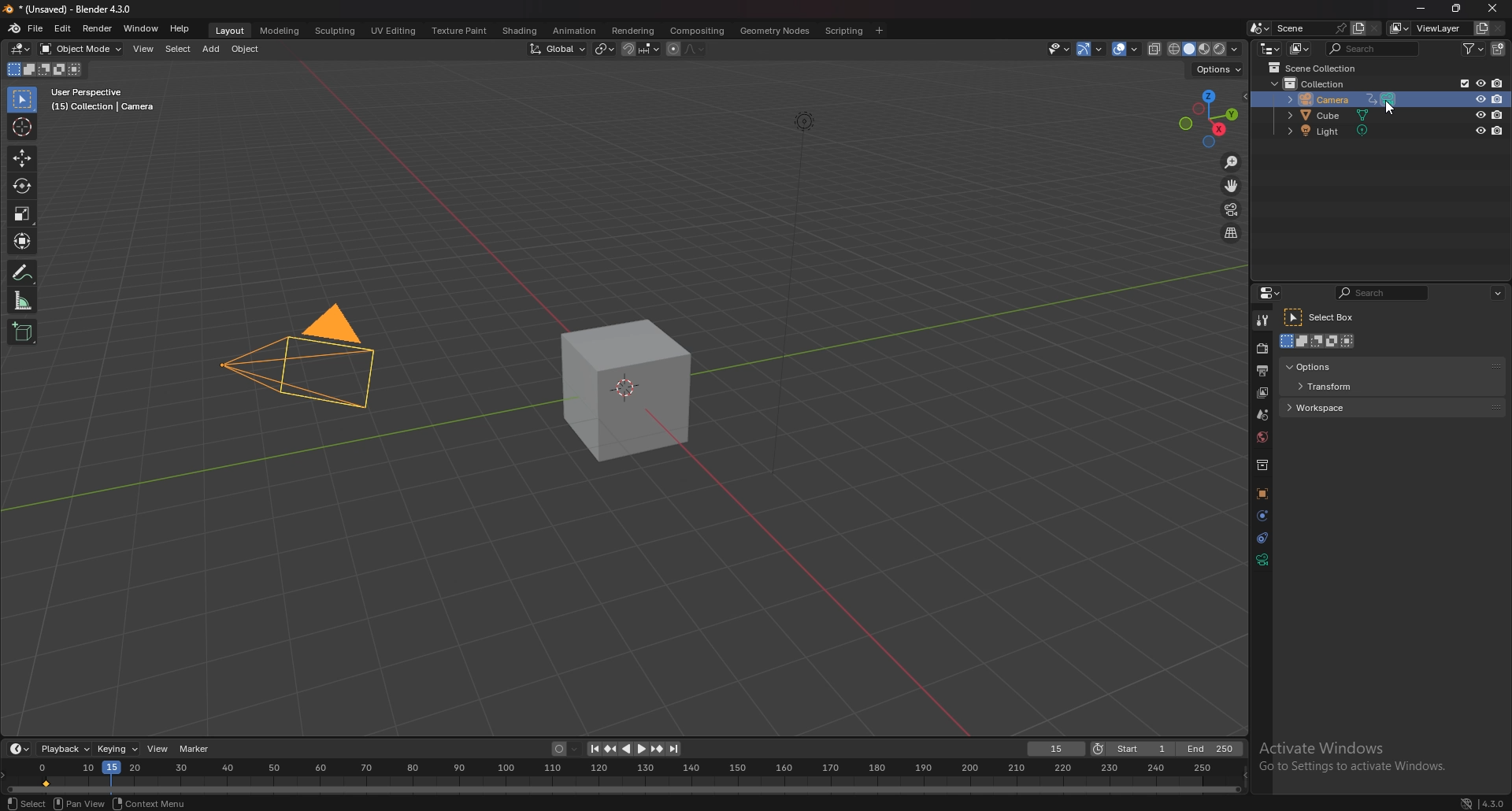 The width and height of the screenshot is (1512, 811). Describe the element at coordinates (118, 749) in the screenshot. I see `keying` at that location.